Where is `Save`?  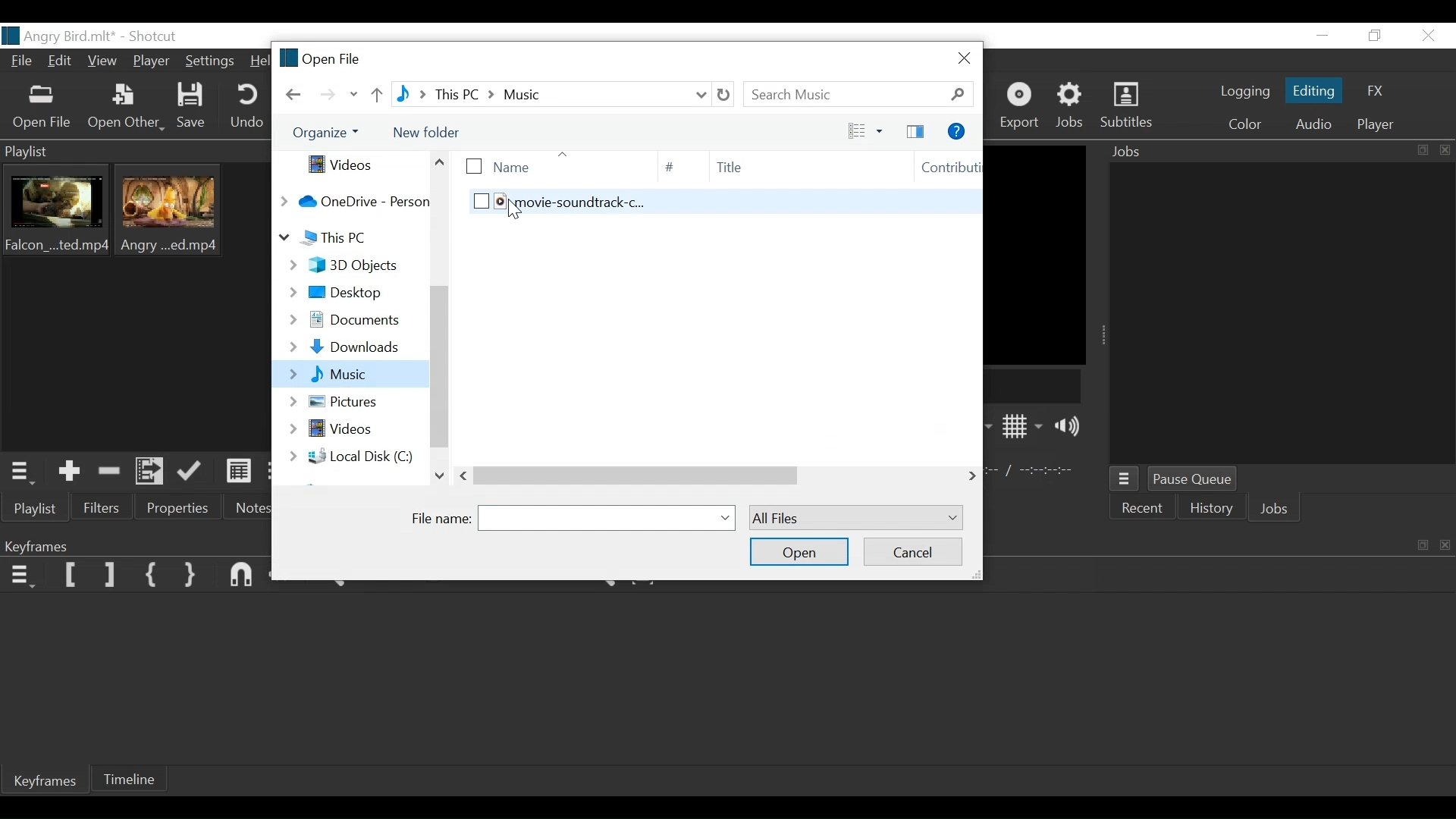 Save is located at coordinates (194, 106).